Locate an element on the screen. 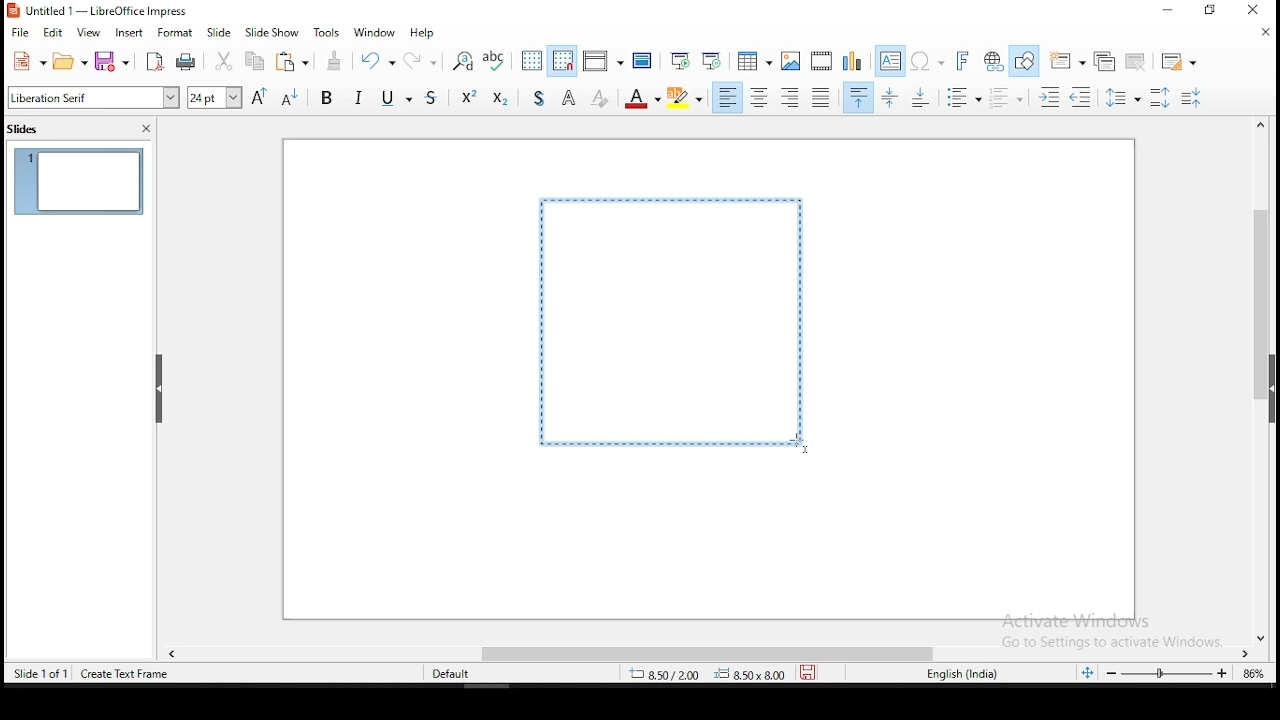 This screenshot has width=1280, height=720. copy is located at coordinates (256, 62).